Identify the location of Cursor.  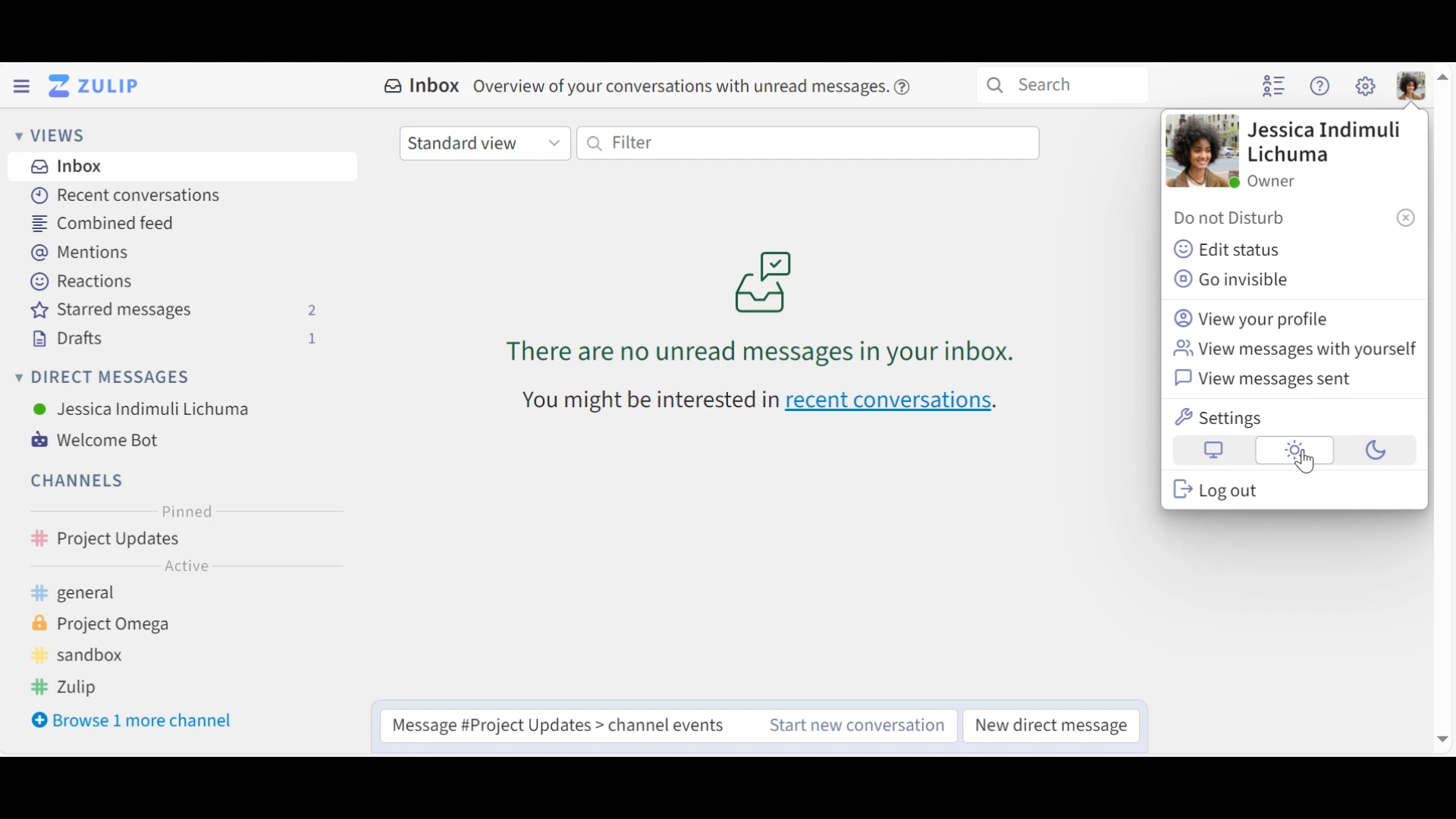
(1302, 463).